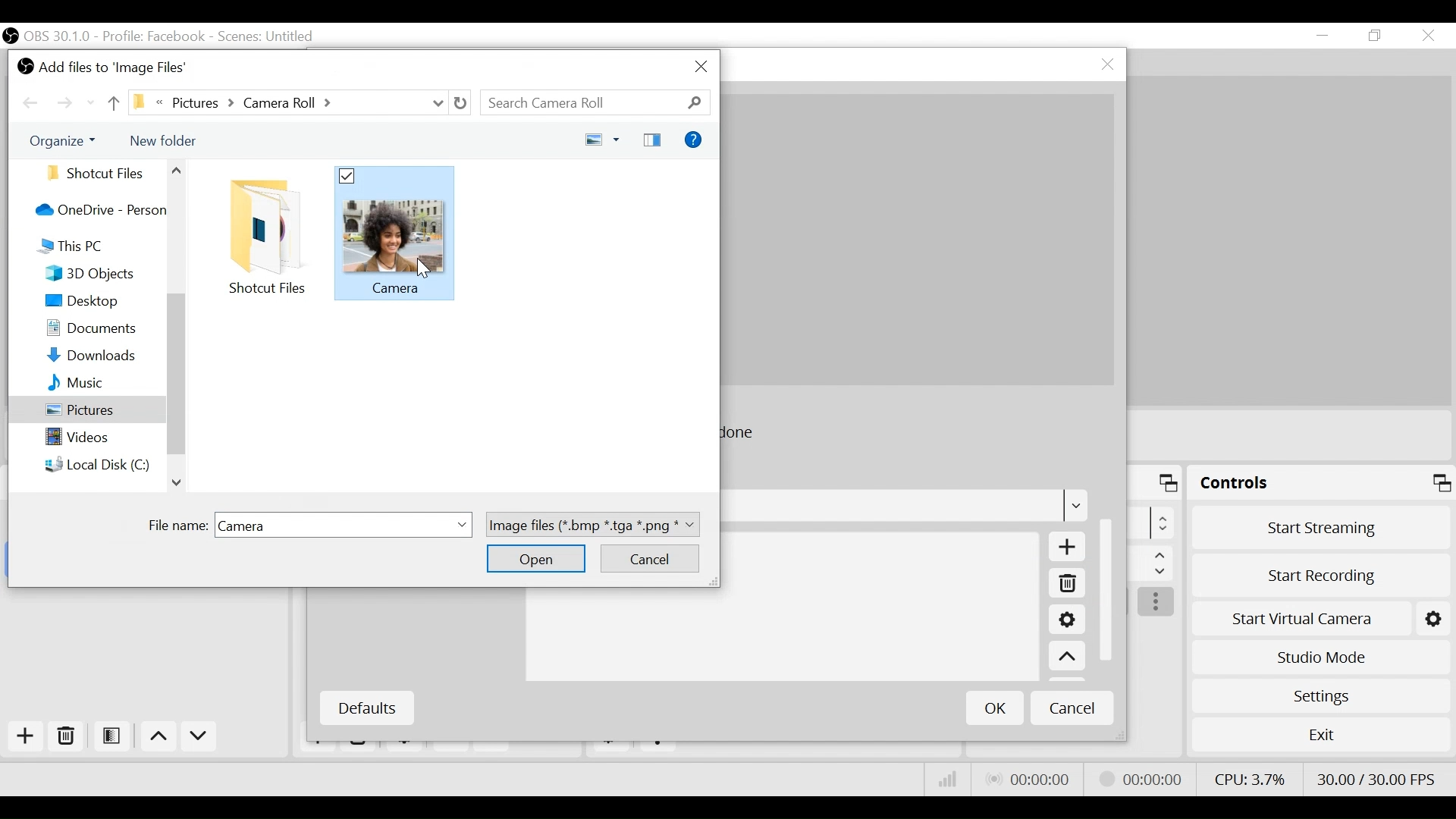  I want to click on OK, so click(995, 708).